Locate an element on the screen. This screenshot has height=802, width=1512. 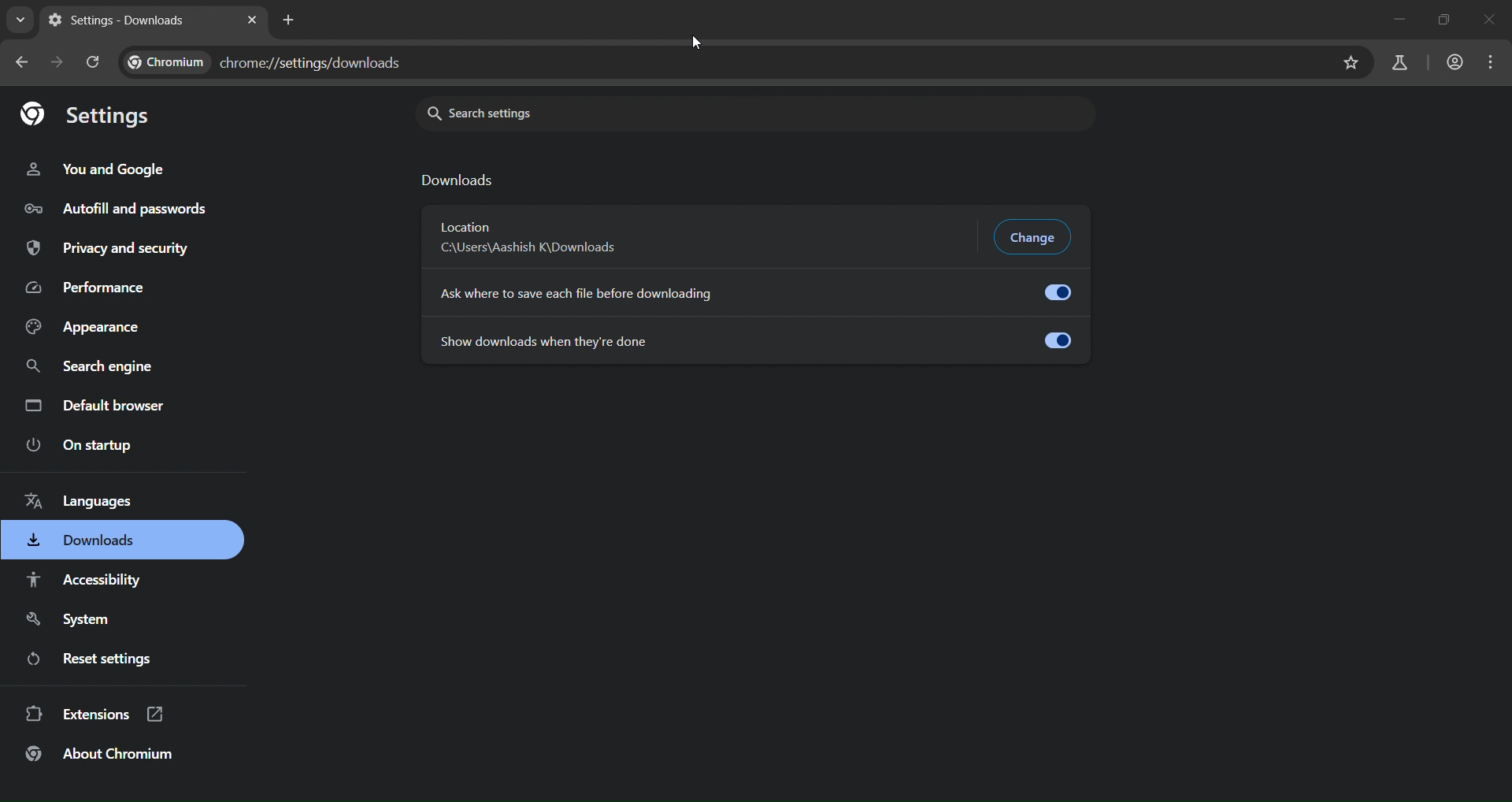
you and google is located at coordinates (94, 167).